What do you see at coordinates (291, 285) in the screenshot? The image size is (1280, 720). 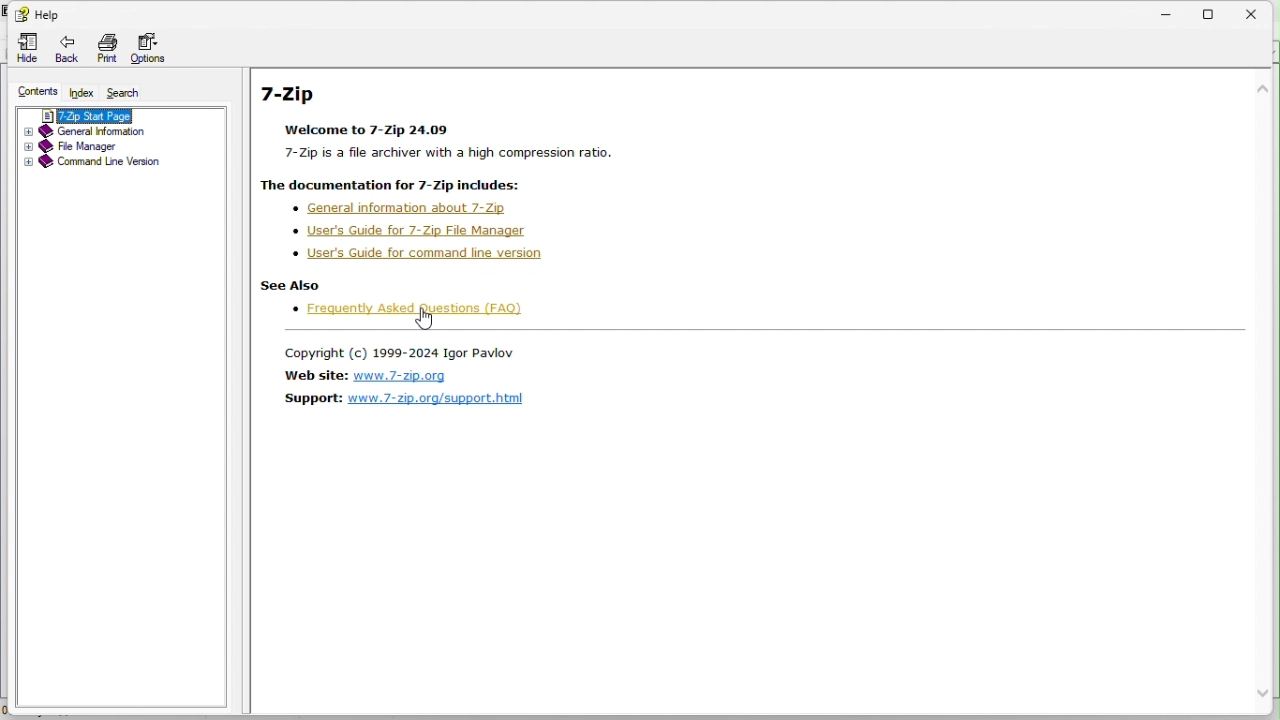 I see `see also` at bounding box center [291, 285].